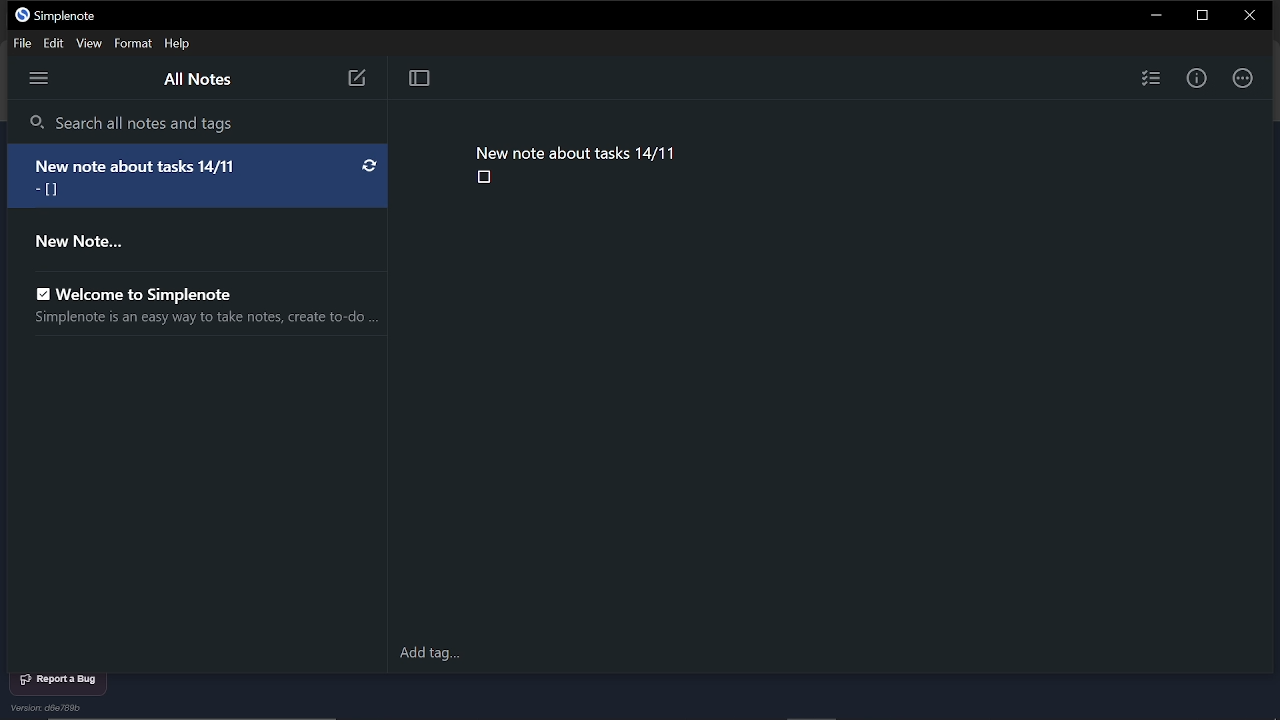 The height and width of the screenshot is (720, 1280). I want to click on Simplenote logo, so click(22, 14).